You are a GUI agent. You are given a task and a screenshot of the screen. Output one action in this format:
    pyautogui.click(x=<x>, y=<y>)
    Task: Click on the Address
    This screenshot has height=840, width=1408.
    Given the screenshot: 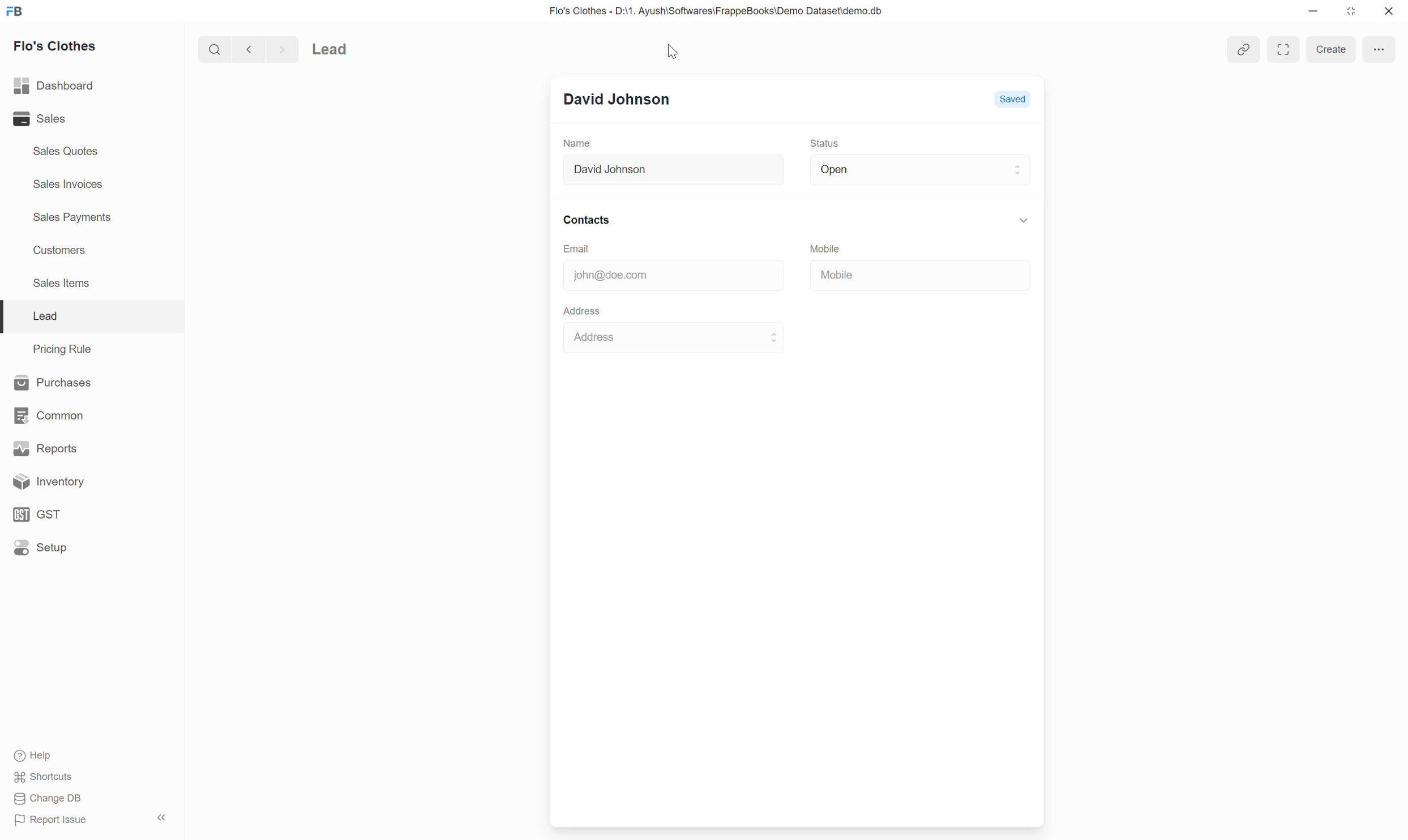 What is the action you would take?
    pyautogui.click(x=580, y=310)
    